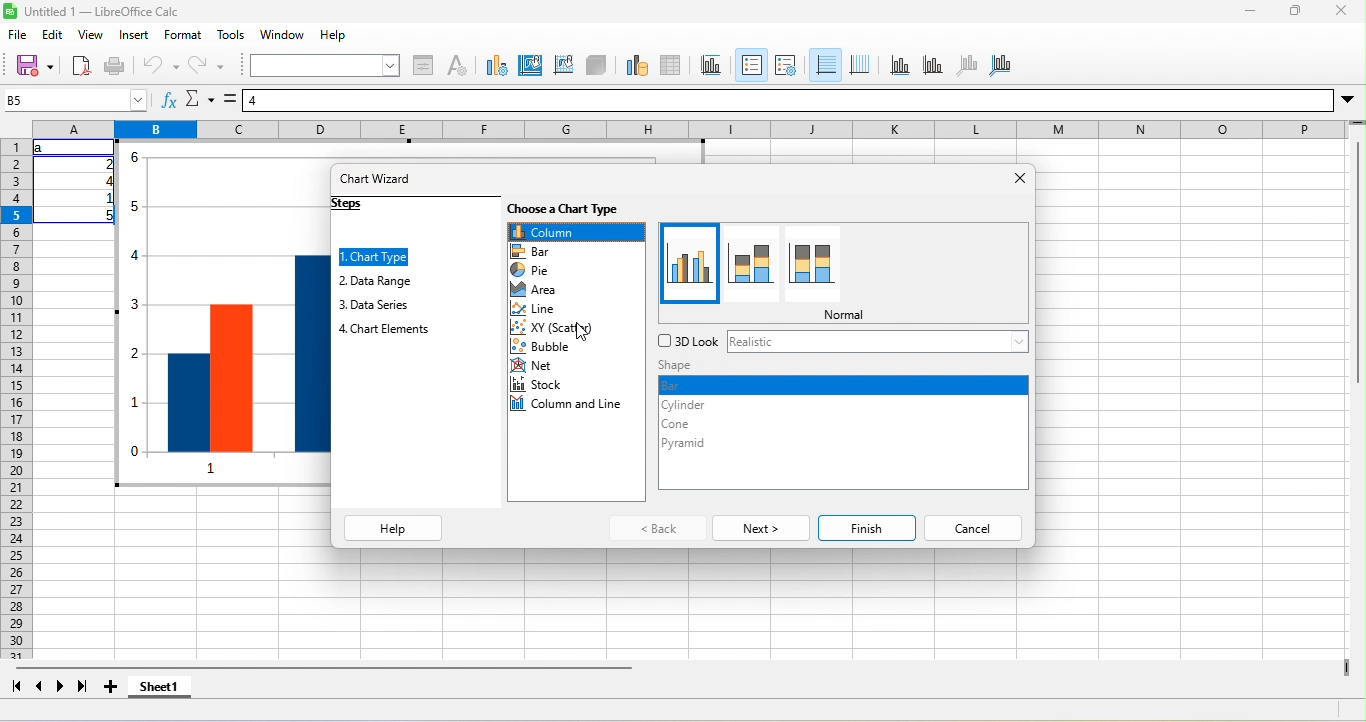 Image resolution: width=1366 pixels, height=722 pixels. I want to click on net, so click(576, 365).